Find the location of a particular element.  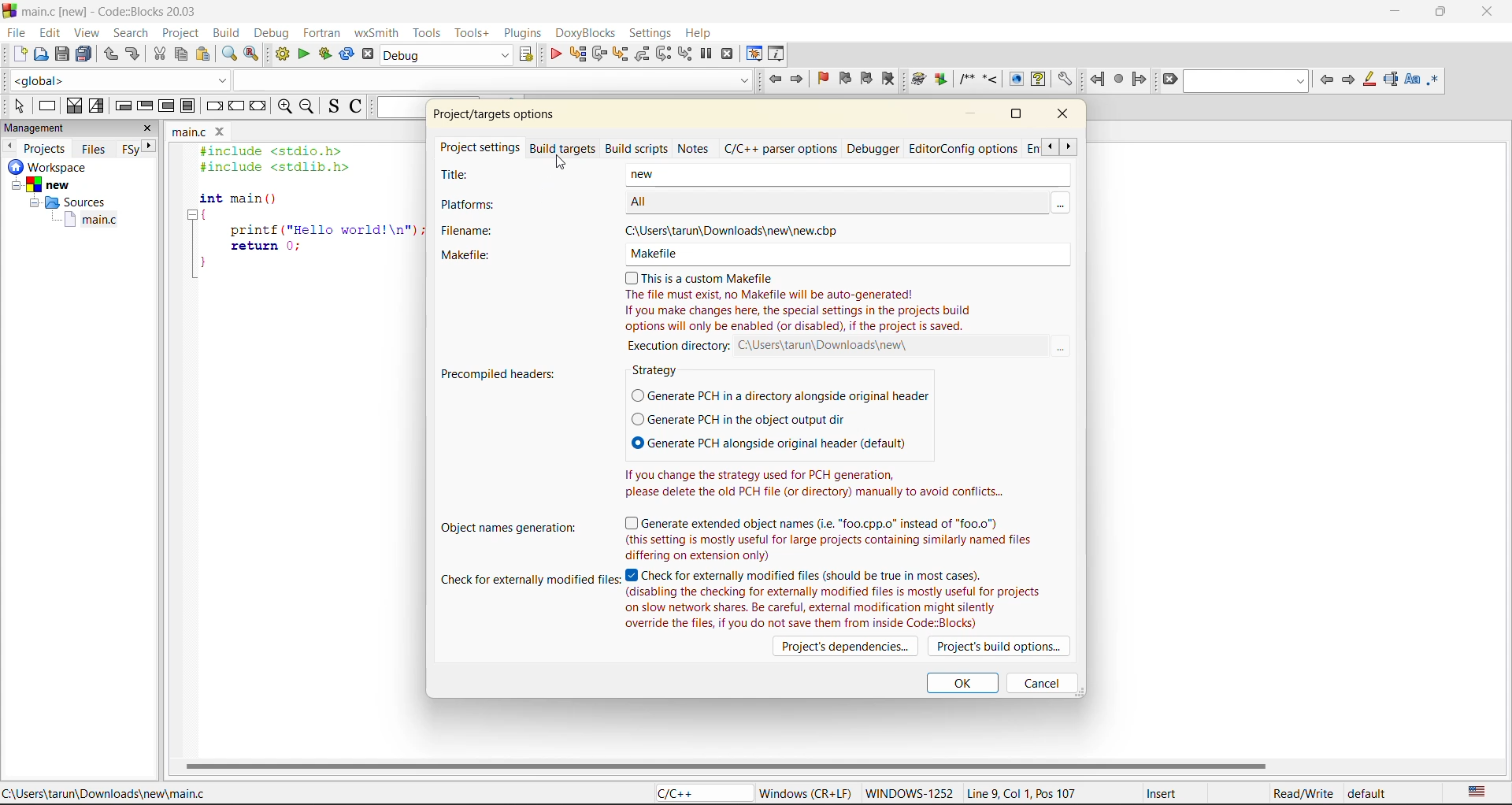

(this setting is mostly useful for large projects containing similarly named files
differing on extension only) is located at coordinates (833, 547).